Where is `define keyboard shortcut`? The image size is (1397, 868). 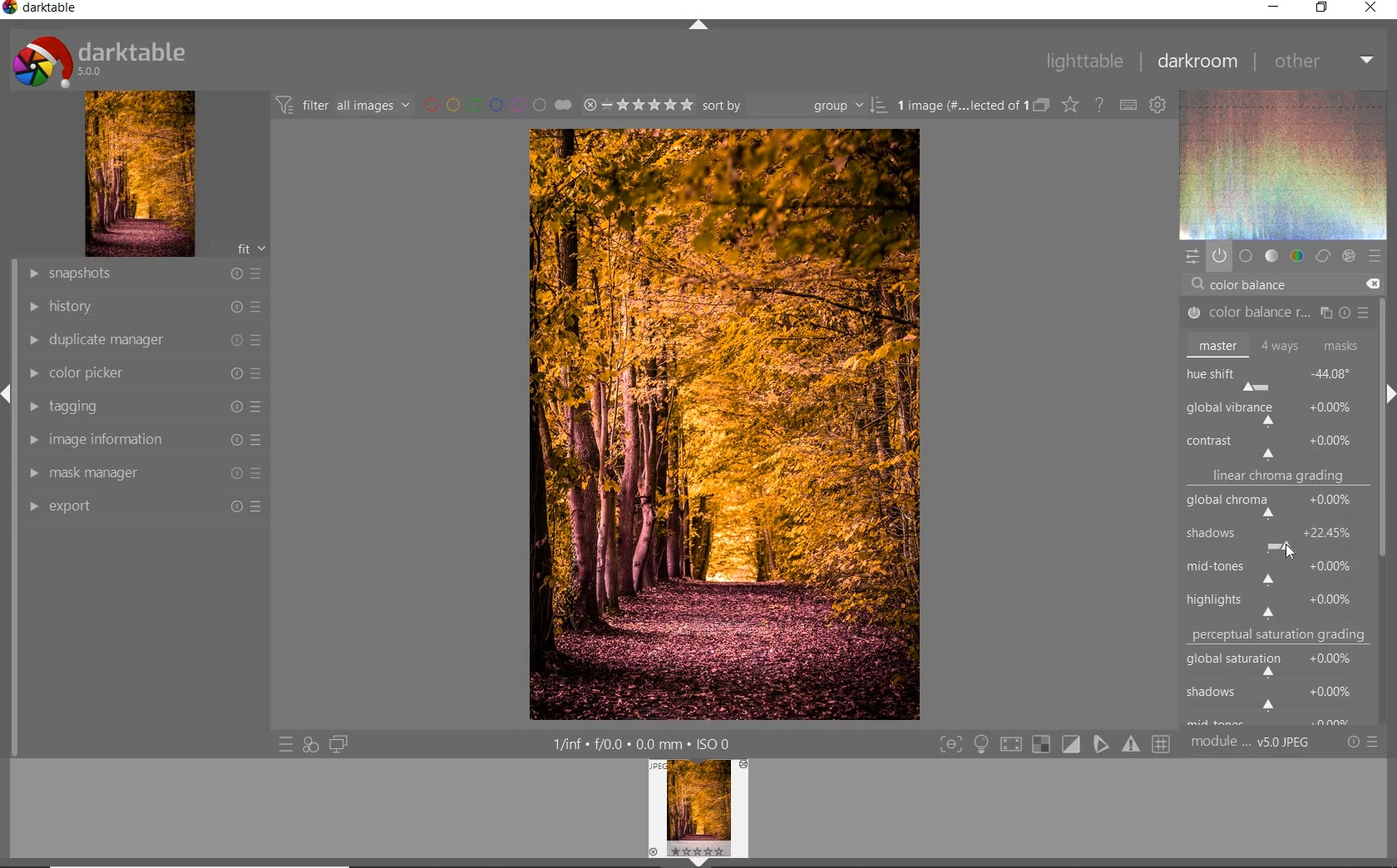
define keyboard shortcut is located at coordinates (1128, 106).